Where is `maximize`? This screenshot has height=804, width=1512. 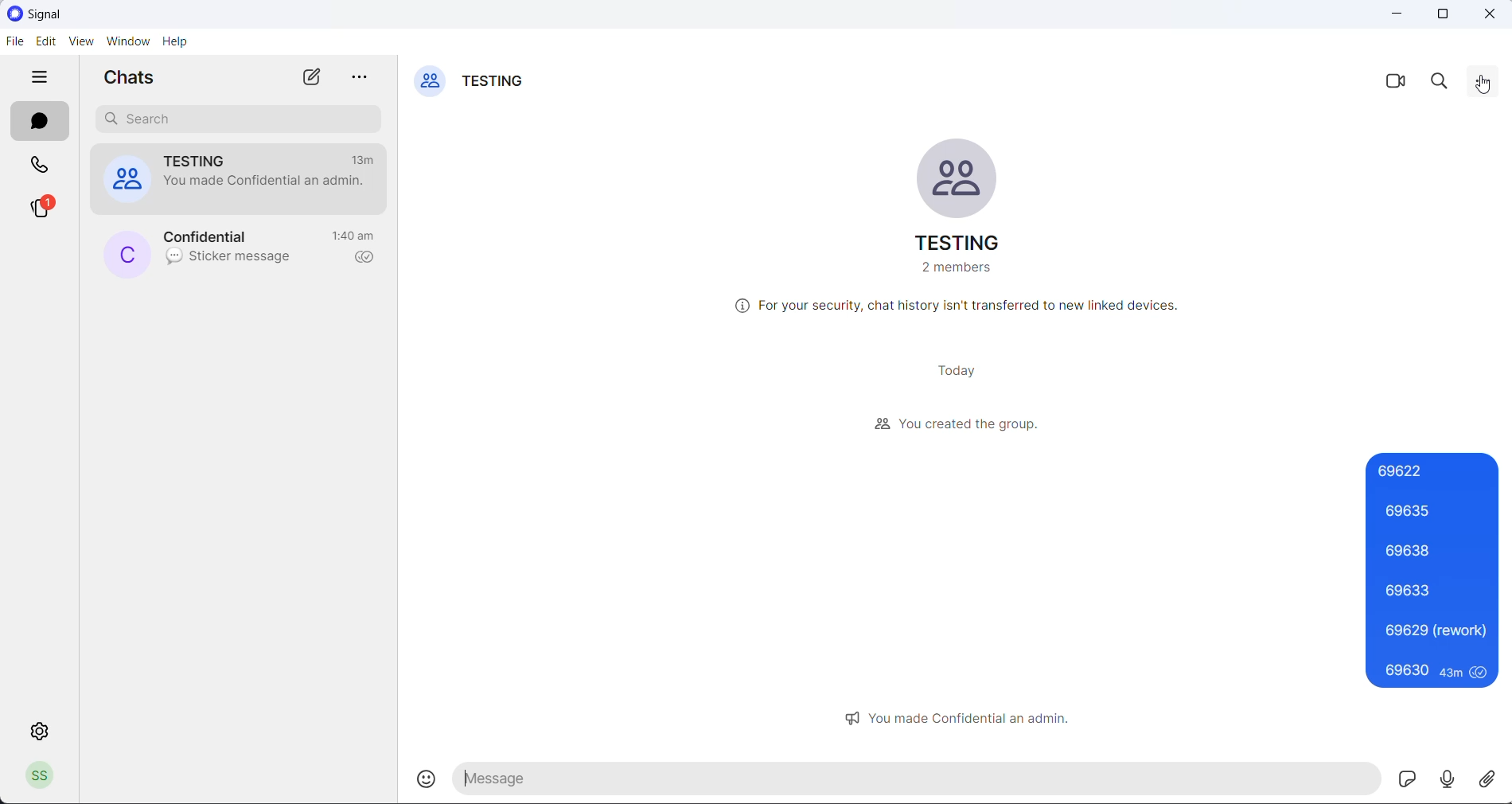
maximize is located at coordinates (1444, 16).